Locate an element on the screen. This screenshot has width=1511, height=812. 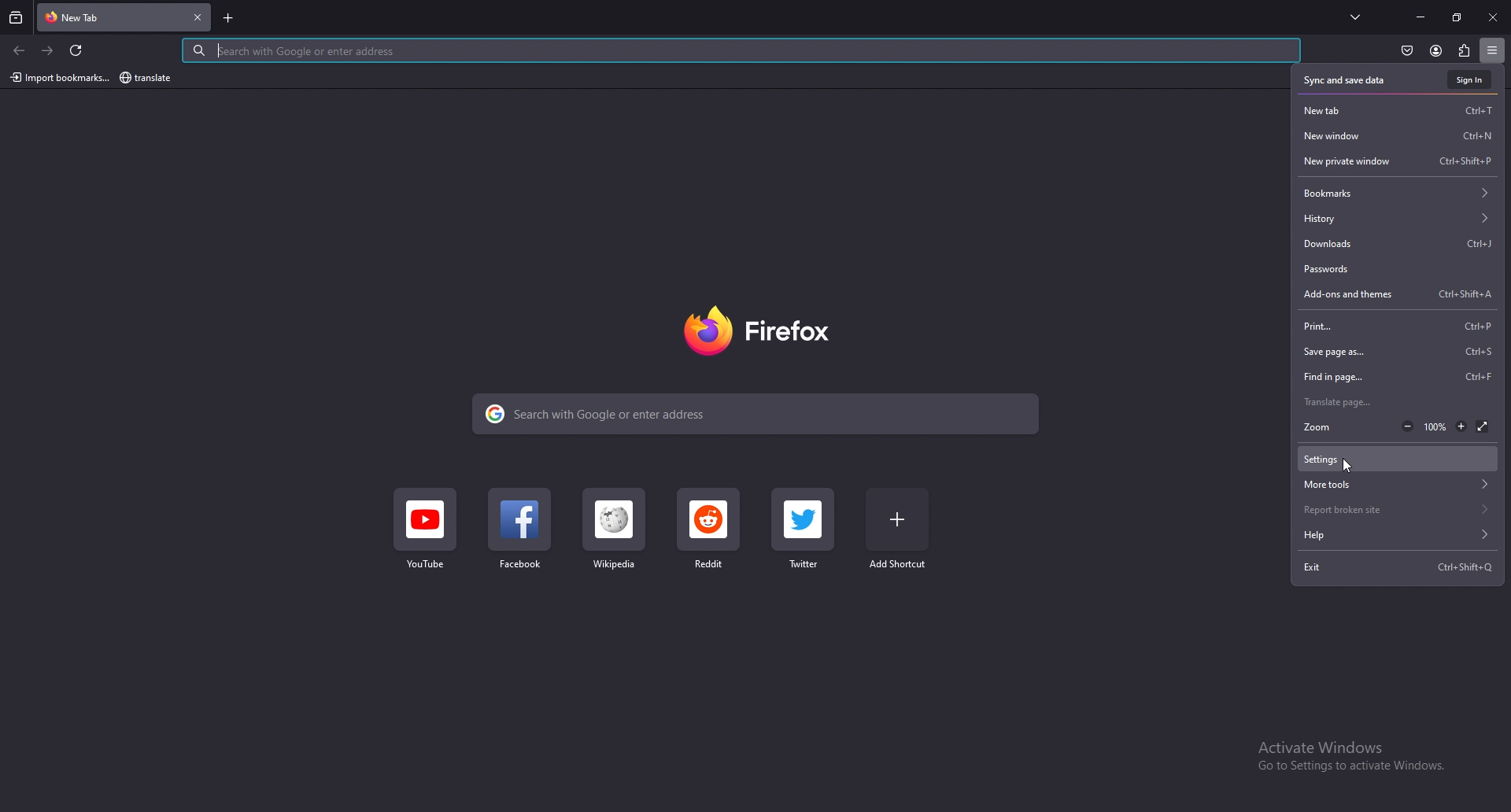
twitter is located at coordinates (804, 529).